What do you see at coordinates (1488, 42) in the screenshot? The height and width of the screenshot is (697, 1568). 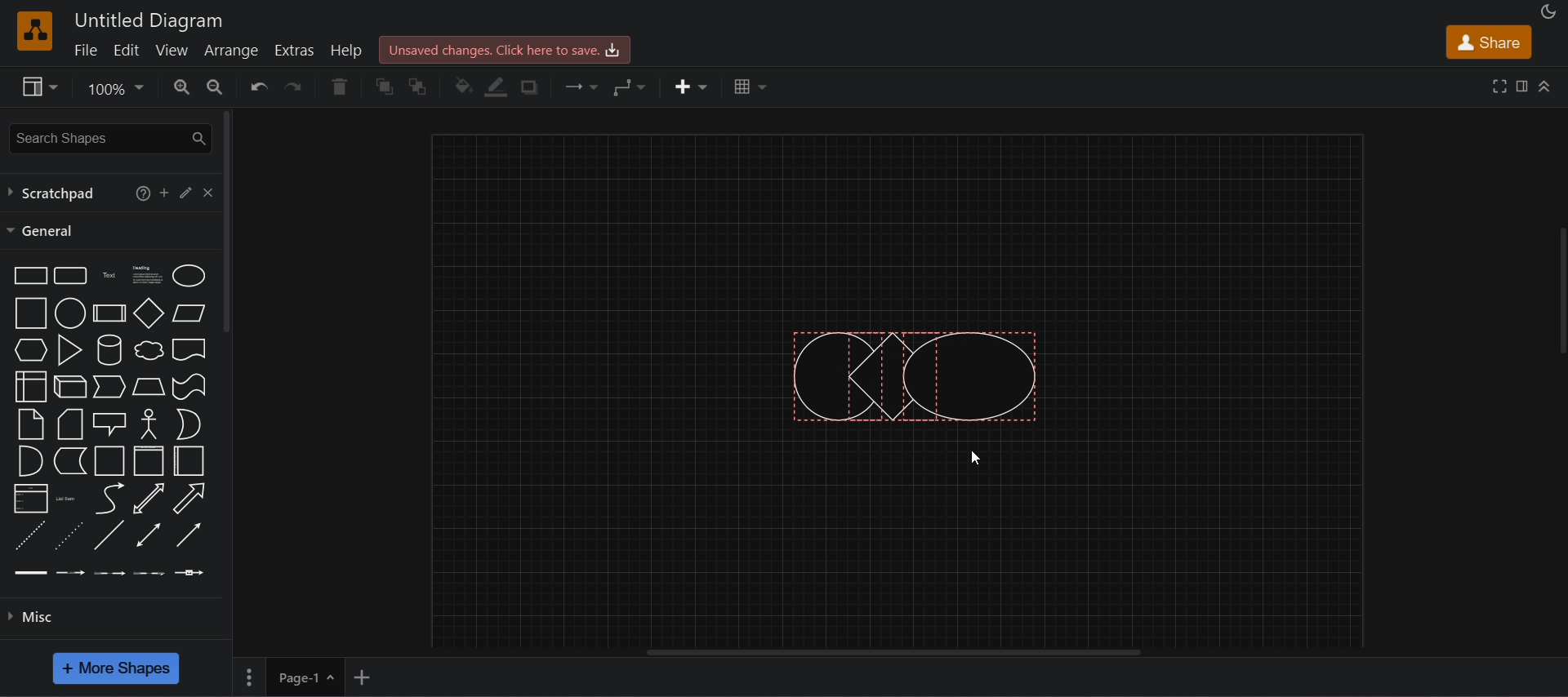 I see `share` at bounding box center [1488, 42].